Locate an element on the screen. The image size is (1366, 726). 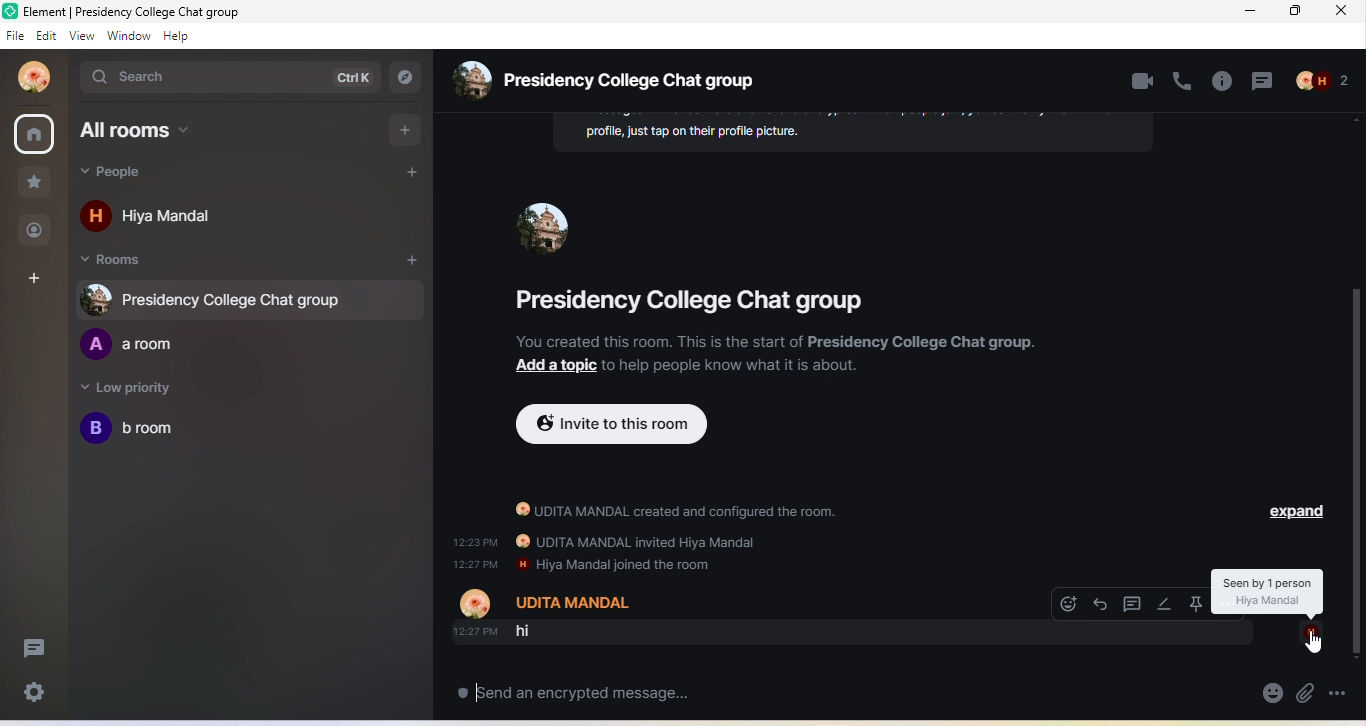
dropdown is located at coordinates (1311, 632).